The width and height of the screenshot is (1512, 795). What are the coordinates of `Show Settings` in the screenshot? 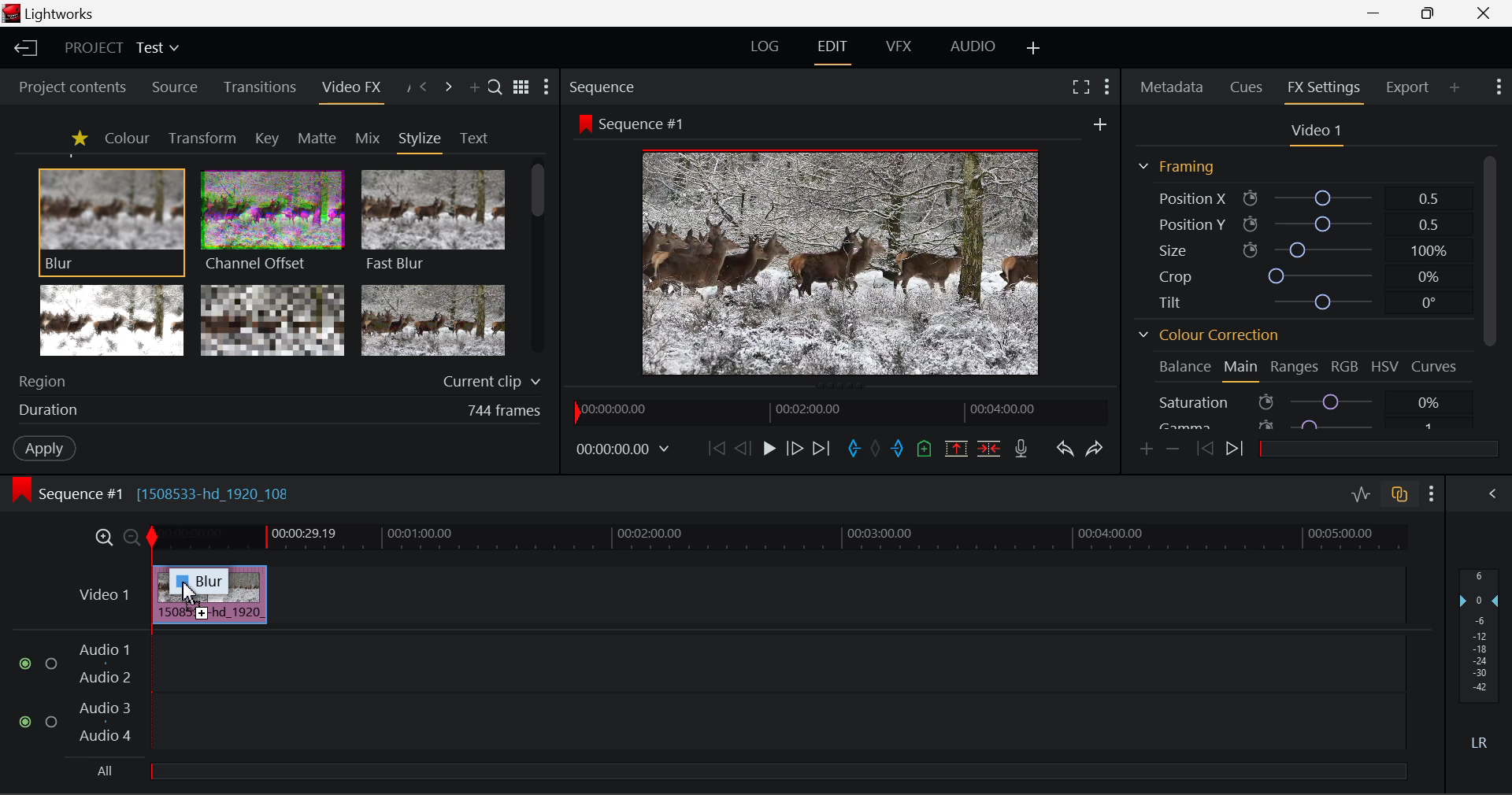 It's located at (1432, 491).